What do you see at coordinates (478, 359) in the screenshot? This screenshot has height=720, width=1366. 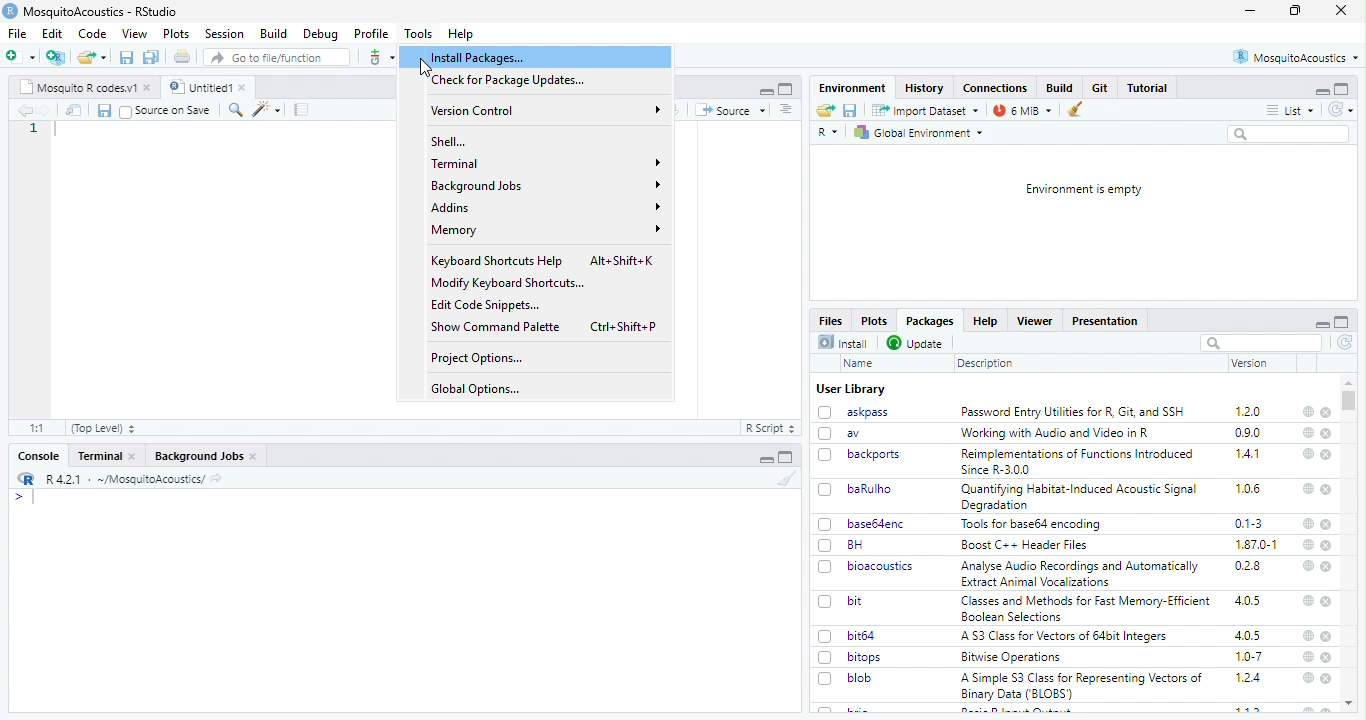 I see `Project Options...` at bounding box center [478, 359].